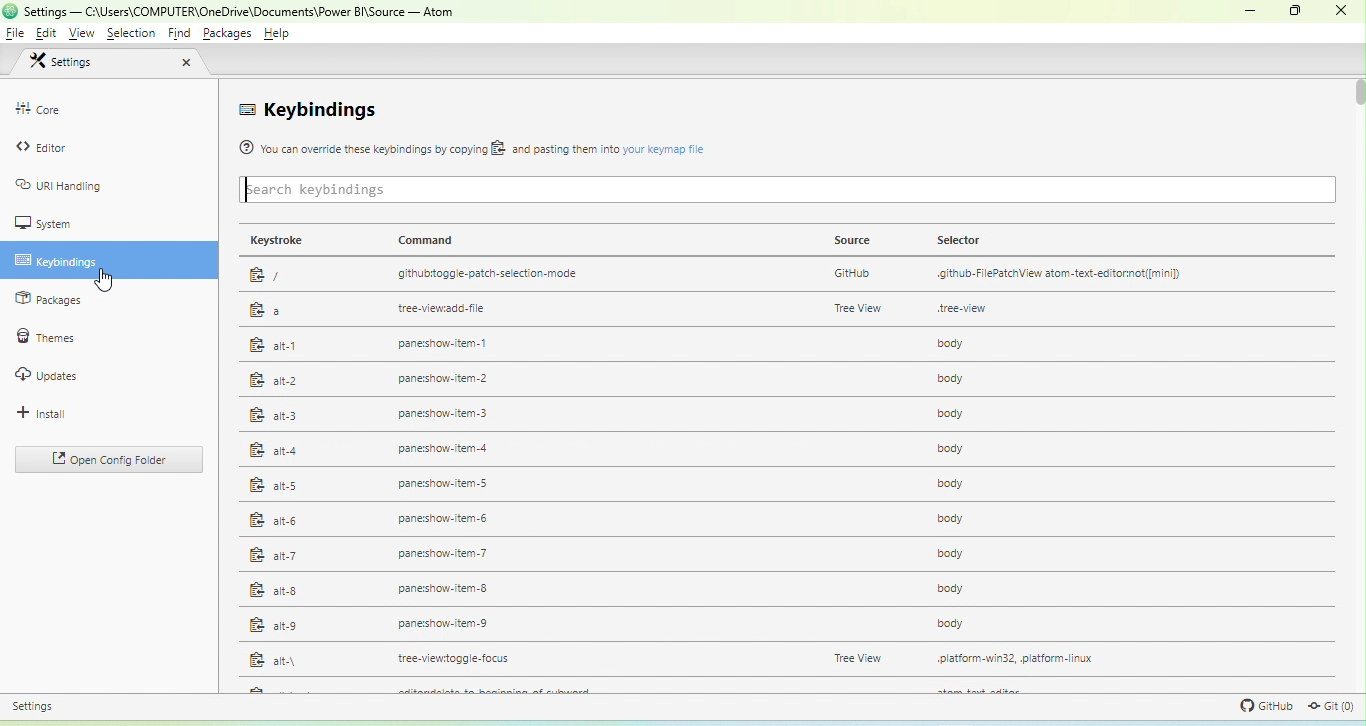 This screenshot has width=1366, height=726. Describe the element at coordinates (82, 33) in the screenshot. I see `view menu` at that location.